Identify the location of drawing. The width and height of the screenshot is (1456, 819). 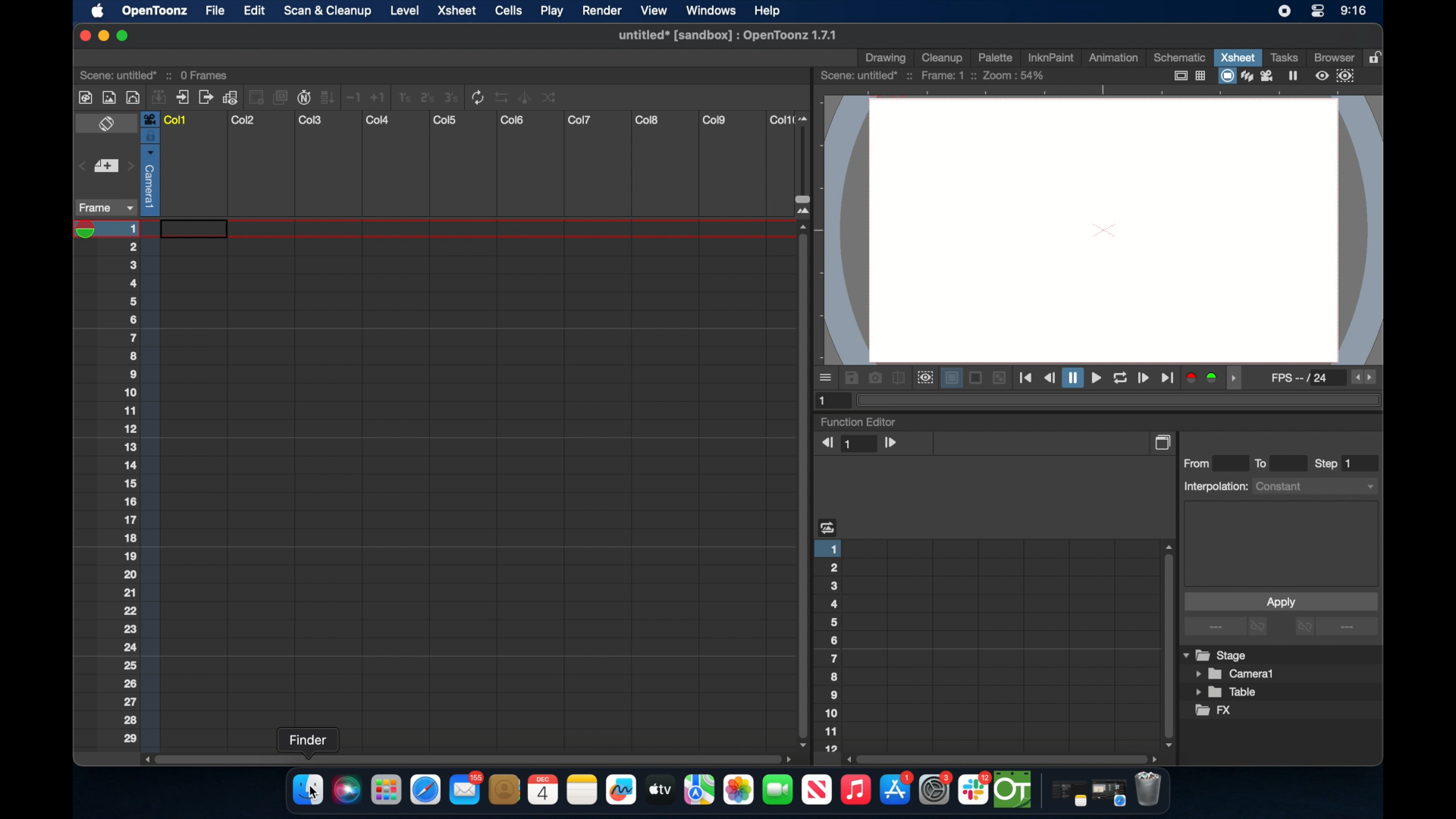
(887, 58).